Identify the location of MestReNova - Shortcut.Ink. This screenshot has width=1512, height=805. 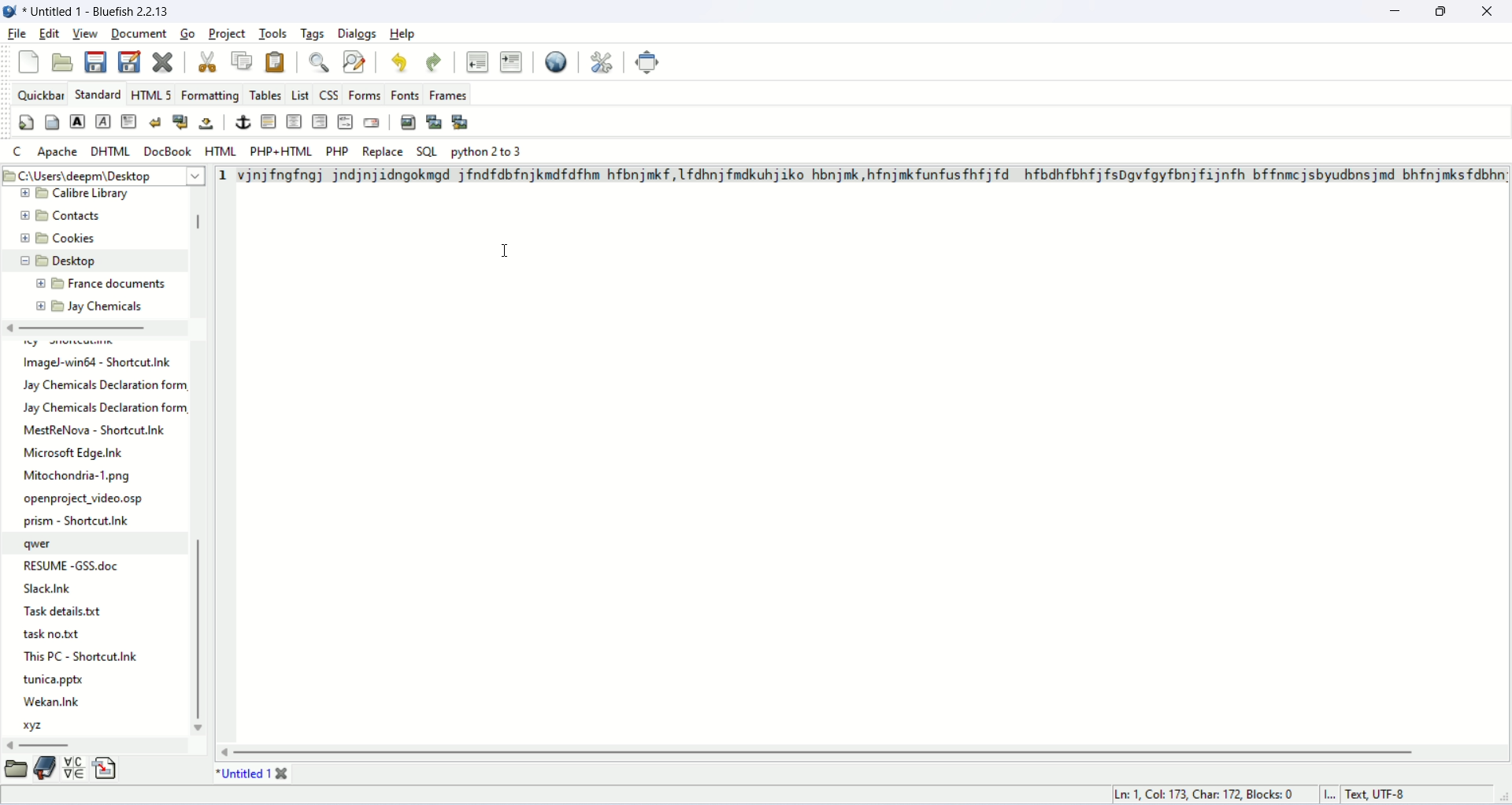
(98, 430).